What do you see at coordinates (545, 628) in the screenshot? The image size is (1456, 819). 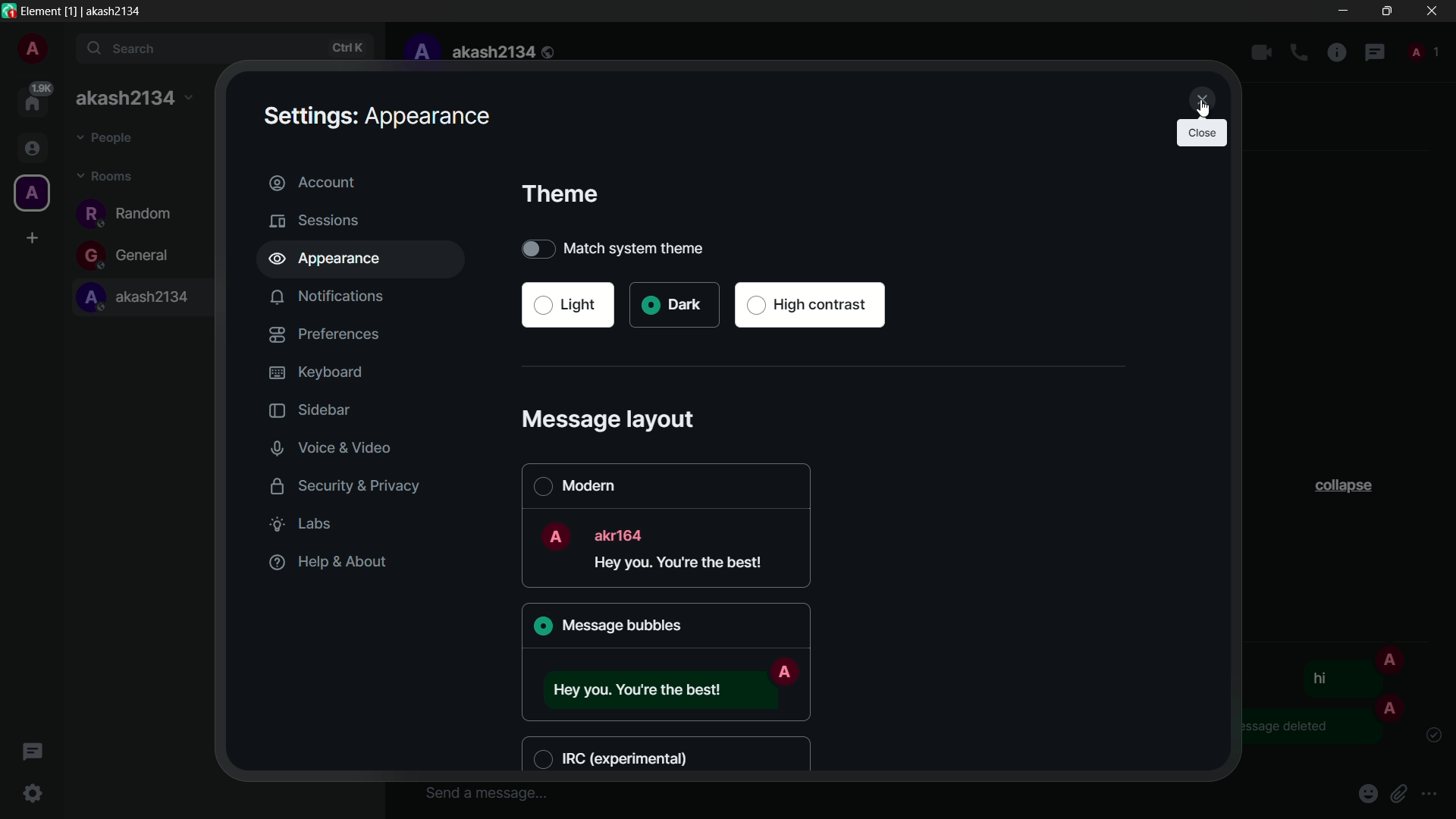 I see `applied` at bounding box center [545, 628].